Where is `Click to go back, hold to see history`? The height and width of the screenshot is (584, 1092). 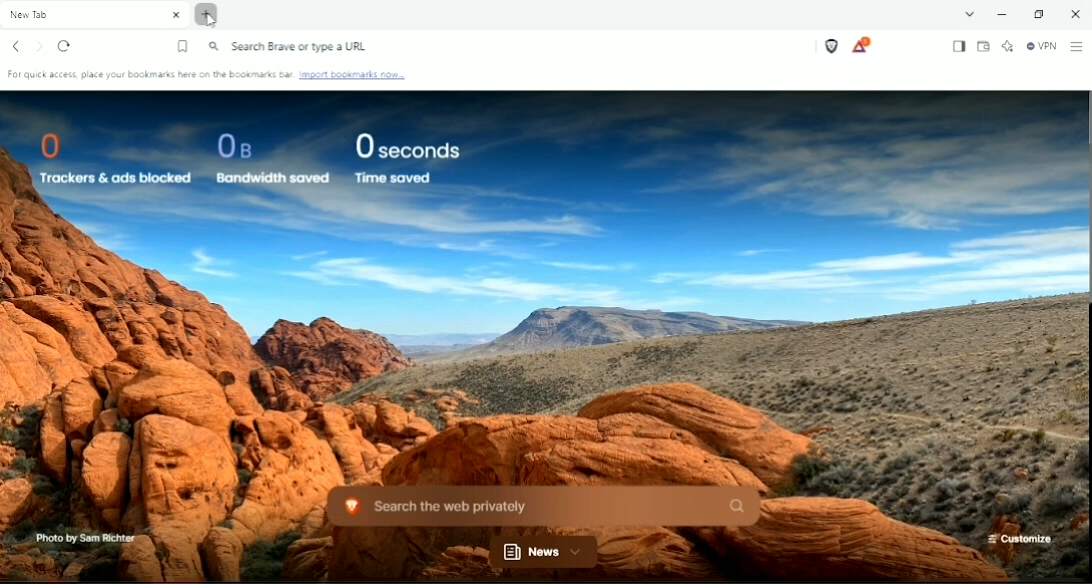
Click to go back, hold to see history is located at coordinates (14, 46).